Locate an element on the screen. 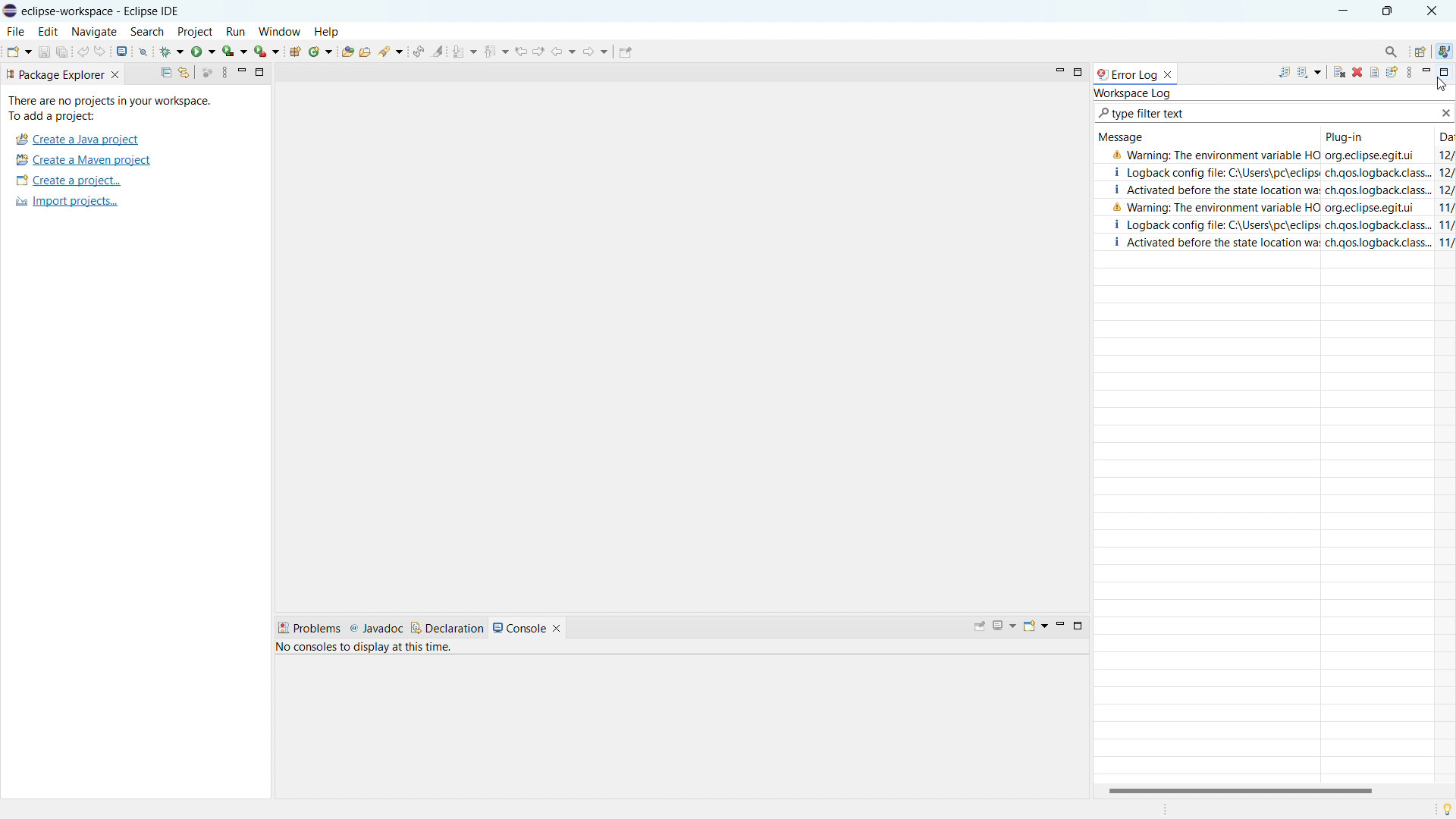 The height and width of the screenshot is (819, 1456). close error log is located at coordinates (1172, 74).